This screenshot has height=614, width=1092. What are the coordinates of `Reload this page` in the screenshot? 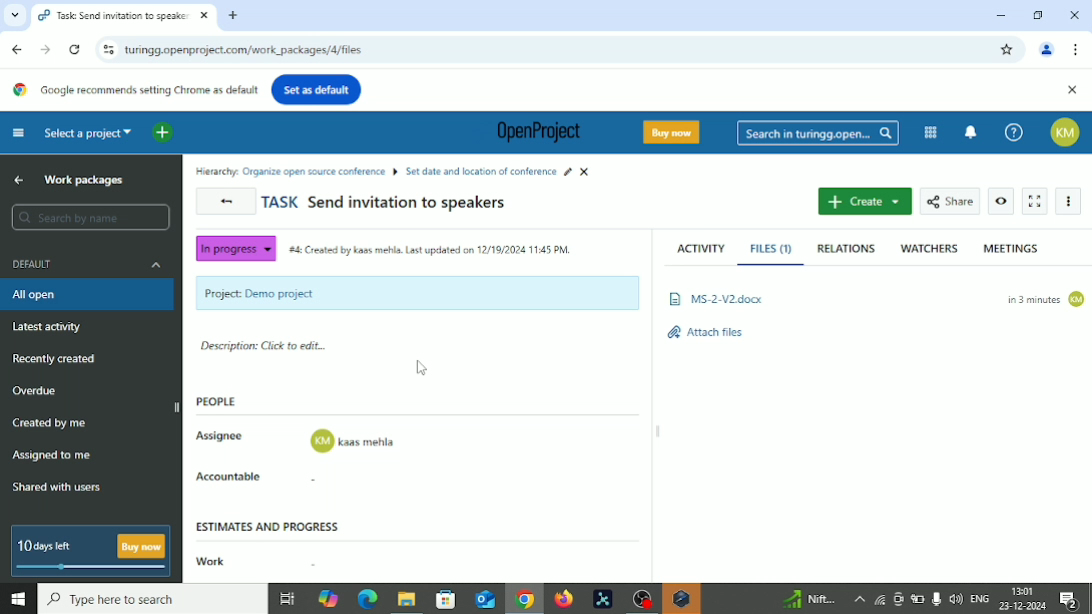 It's located at (75, 50).